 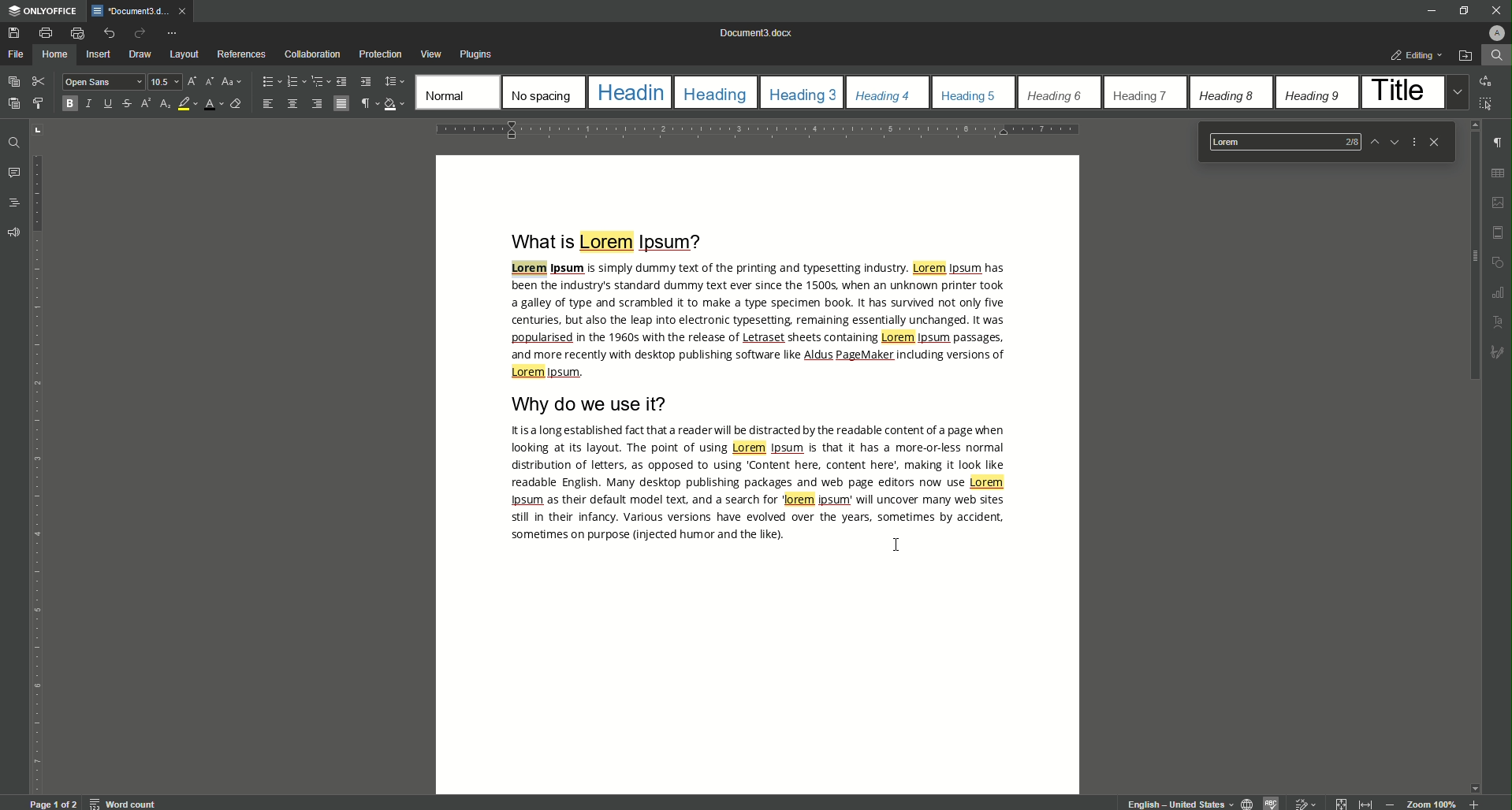 I want to click on Superscript, so click(x=145, y=107).